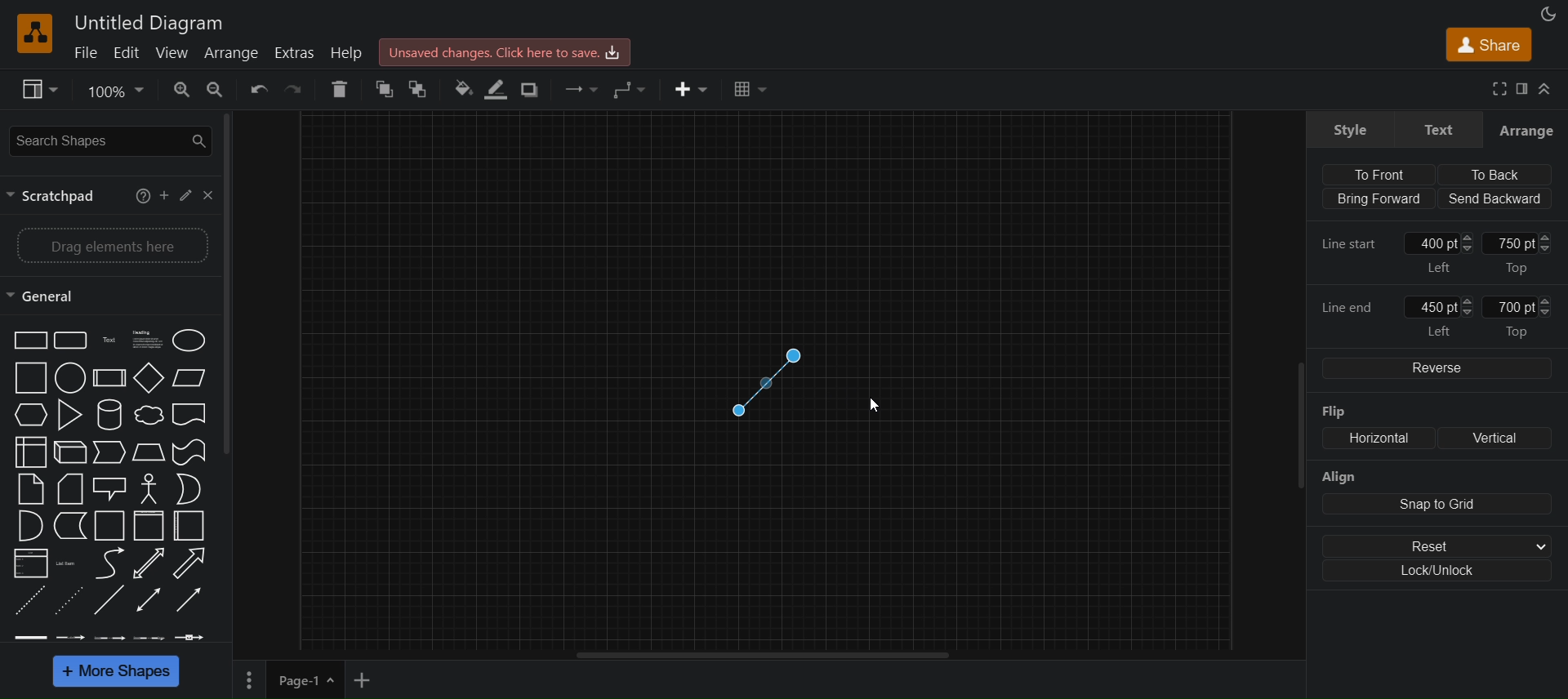  I want to click on line start, so click(1355, 244).